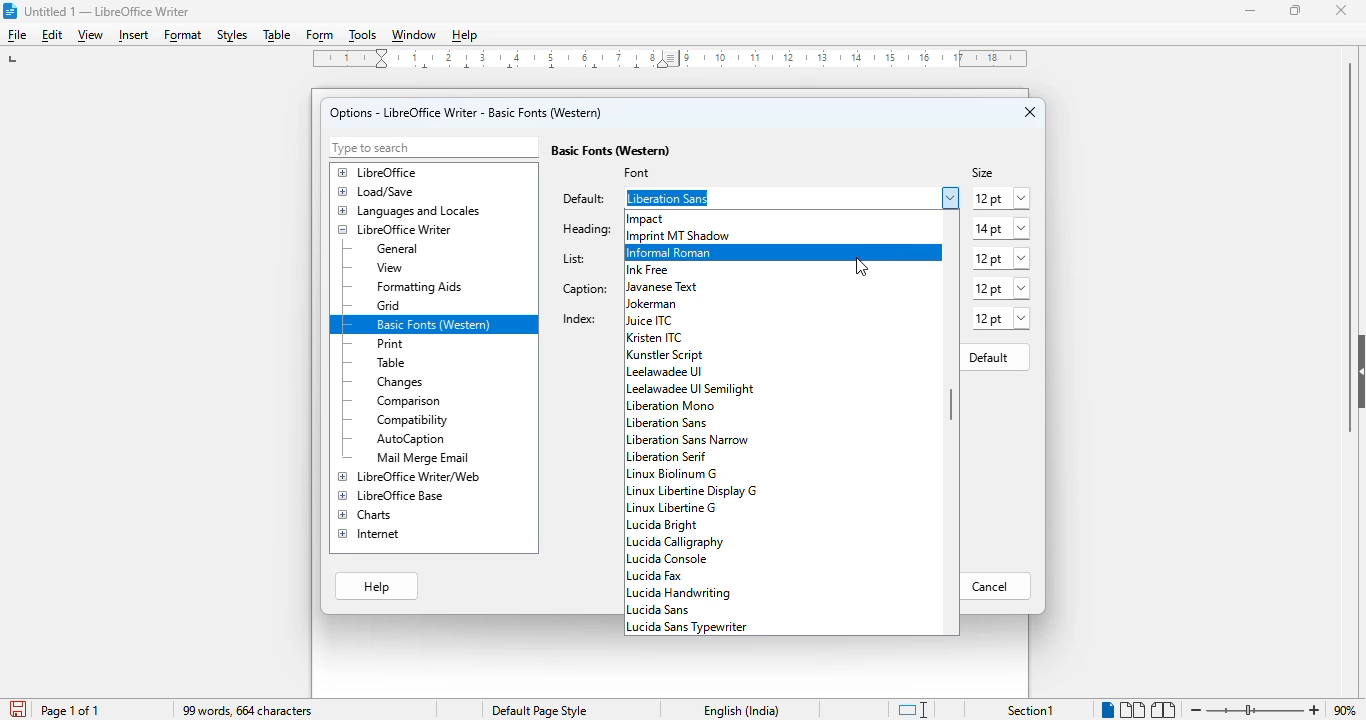 The height and width of the screenshot is (720, 1366). What do you see at coordinates (586, 229) in the screenshot?
I see `heading: ` at bounding box center [586, 229].